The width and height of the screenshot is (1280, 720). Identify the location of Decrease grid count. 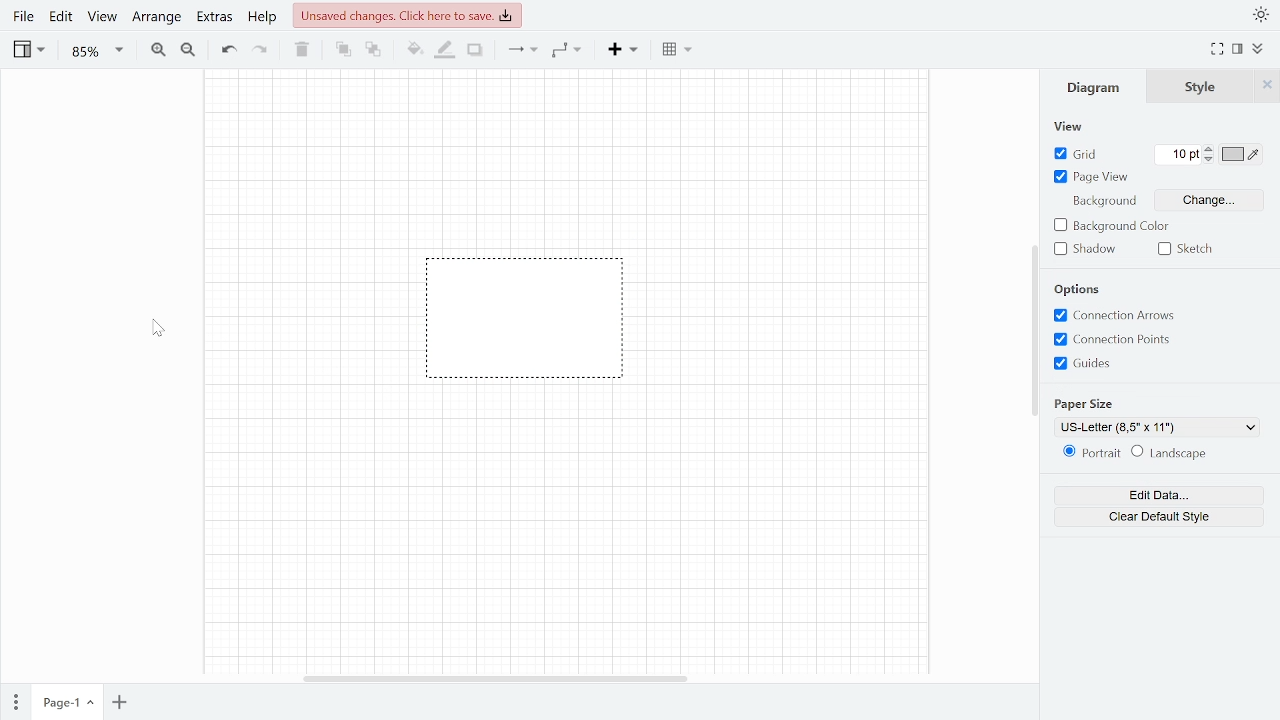
(1211, 161).